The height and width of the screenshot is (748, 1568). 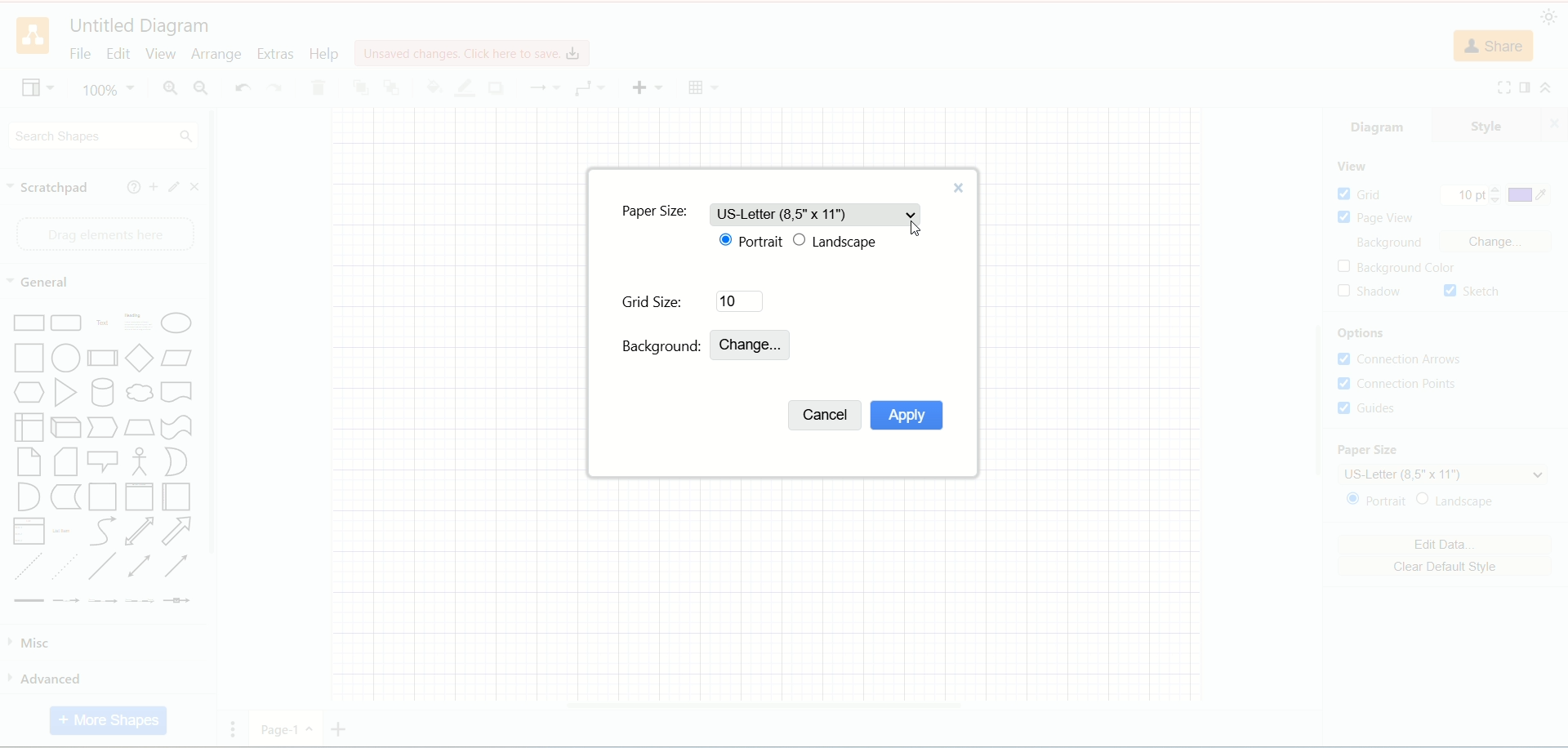 What do you see at coordinates (212, 427) in the screenshot?
I see `vertical scroll bar` at bounding box center [212, 427].